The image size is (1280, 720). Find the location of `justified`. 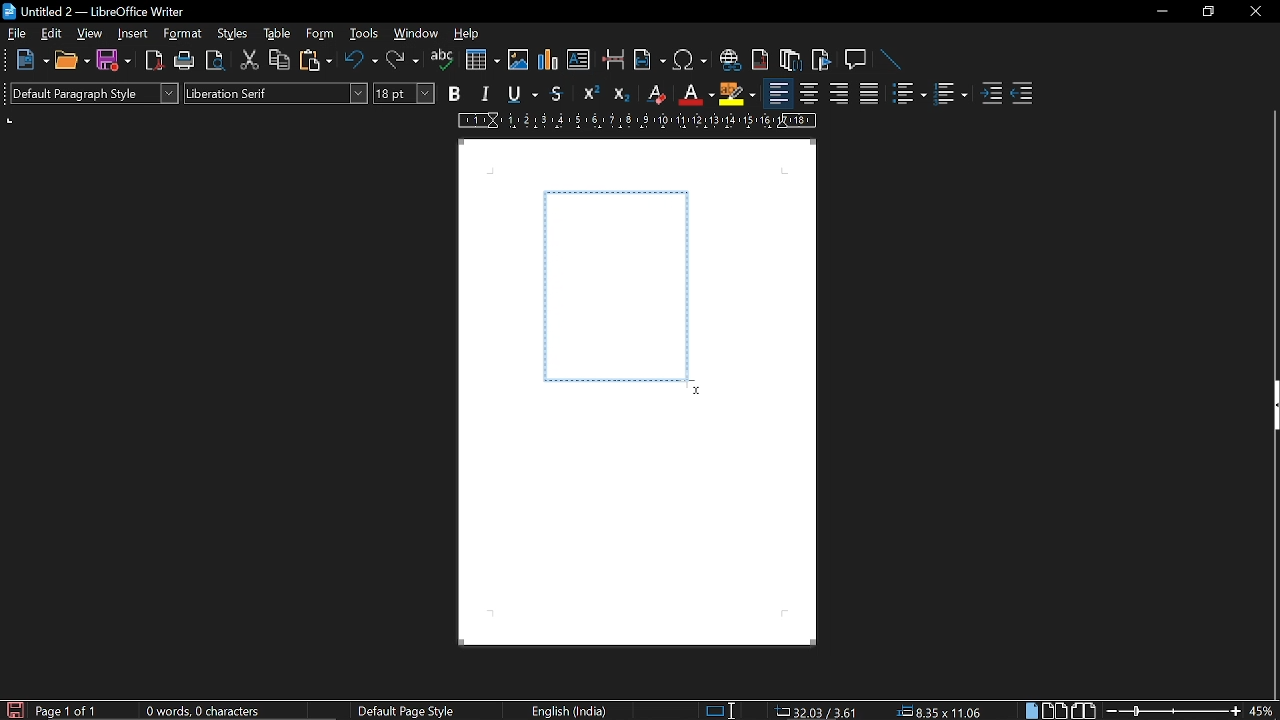

justified is located at coordinates (869, 96).